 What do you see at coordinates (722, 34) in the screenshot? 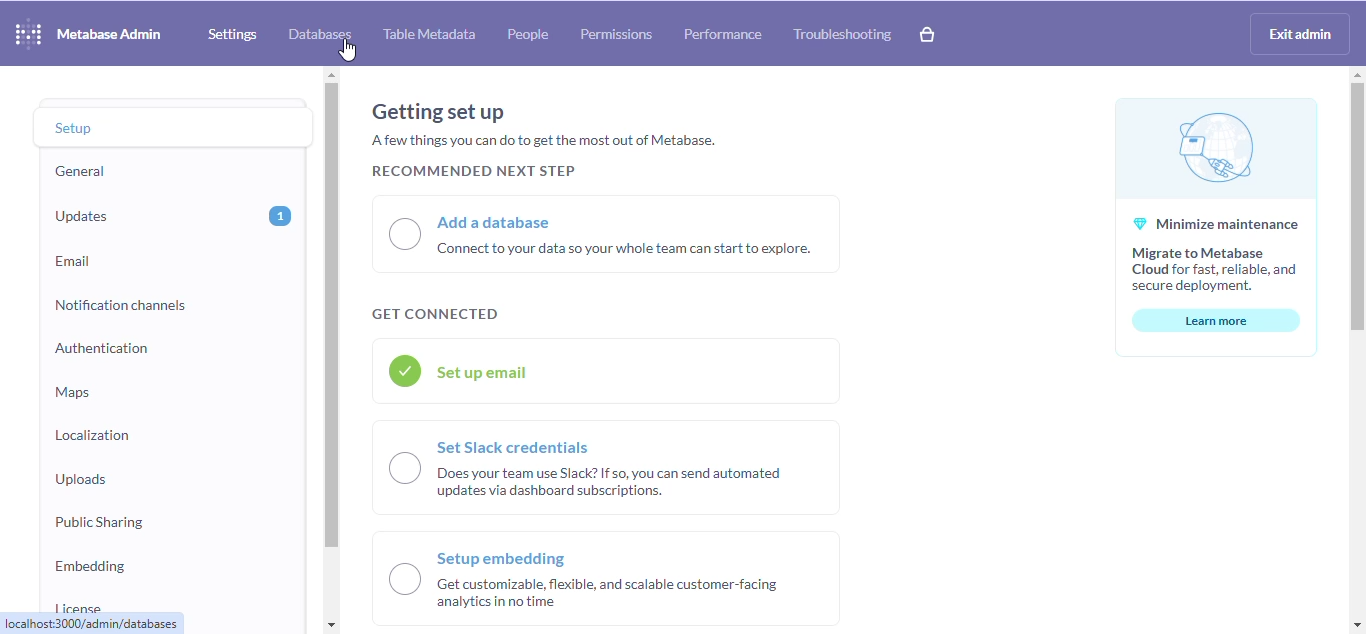
I see `performance` at bounding box center [722, 34].